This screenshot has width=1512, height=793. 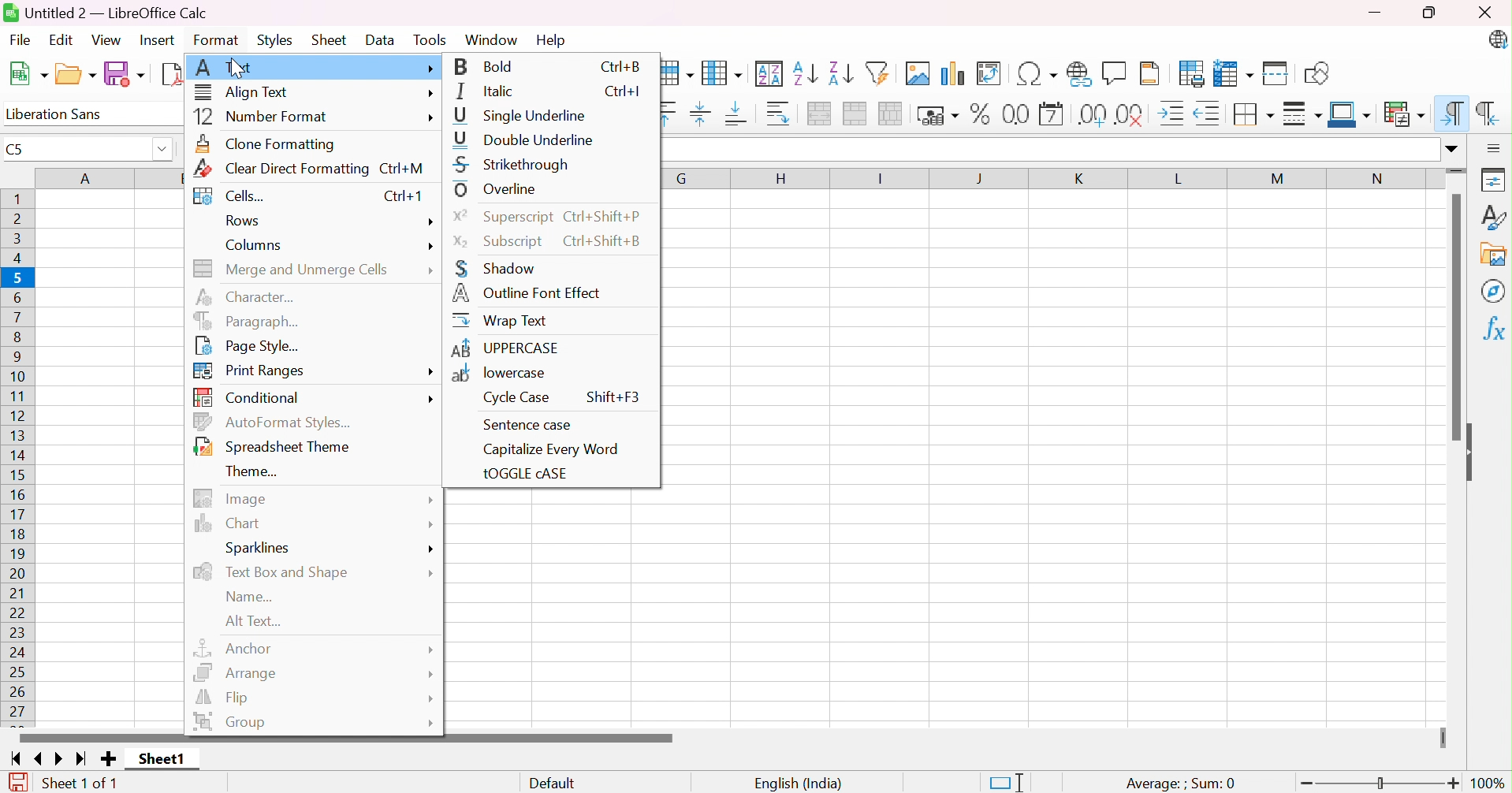 I want to click on Insert or Edit Pivot Table, so click(x=995, y=73).